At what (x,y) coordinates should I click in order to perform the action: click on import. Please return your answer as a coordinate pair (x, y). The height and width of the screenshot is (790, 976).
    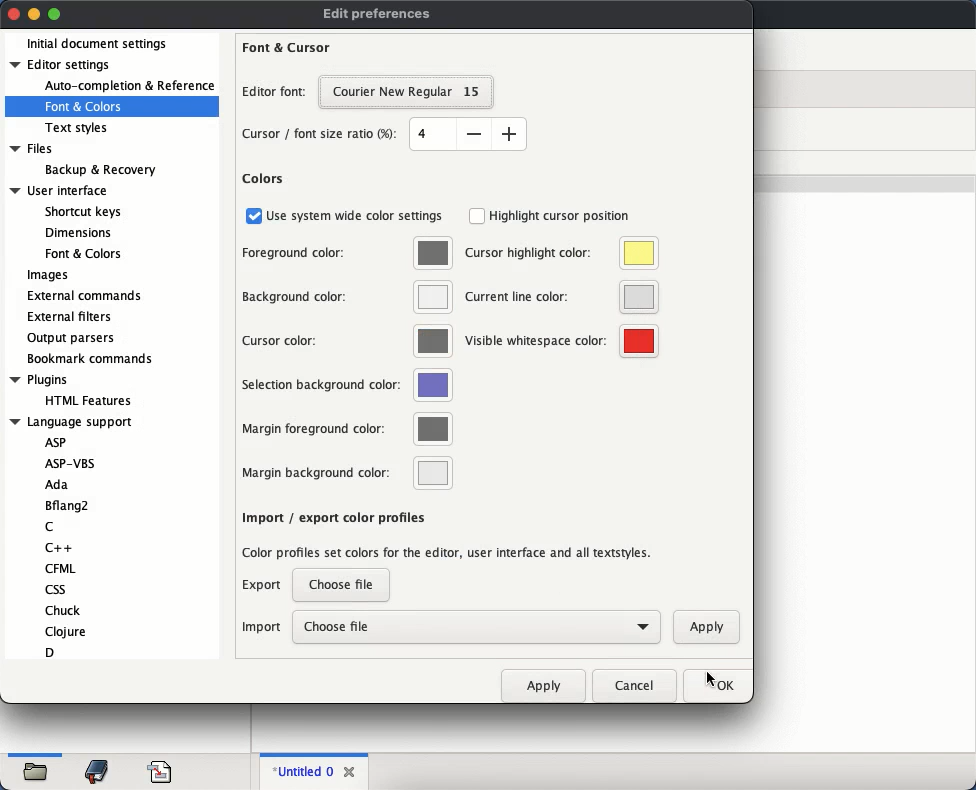
    Looking at the image, I should click on (261, 628).